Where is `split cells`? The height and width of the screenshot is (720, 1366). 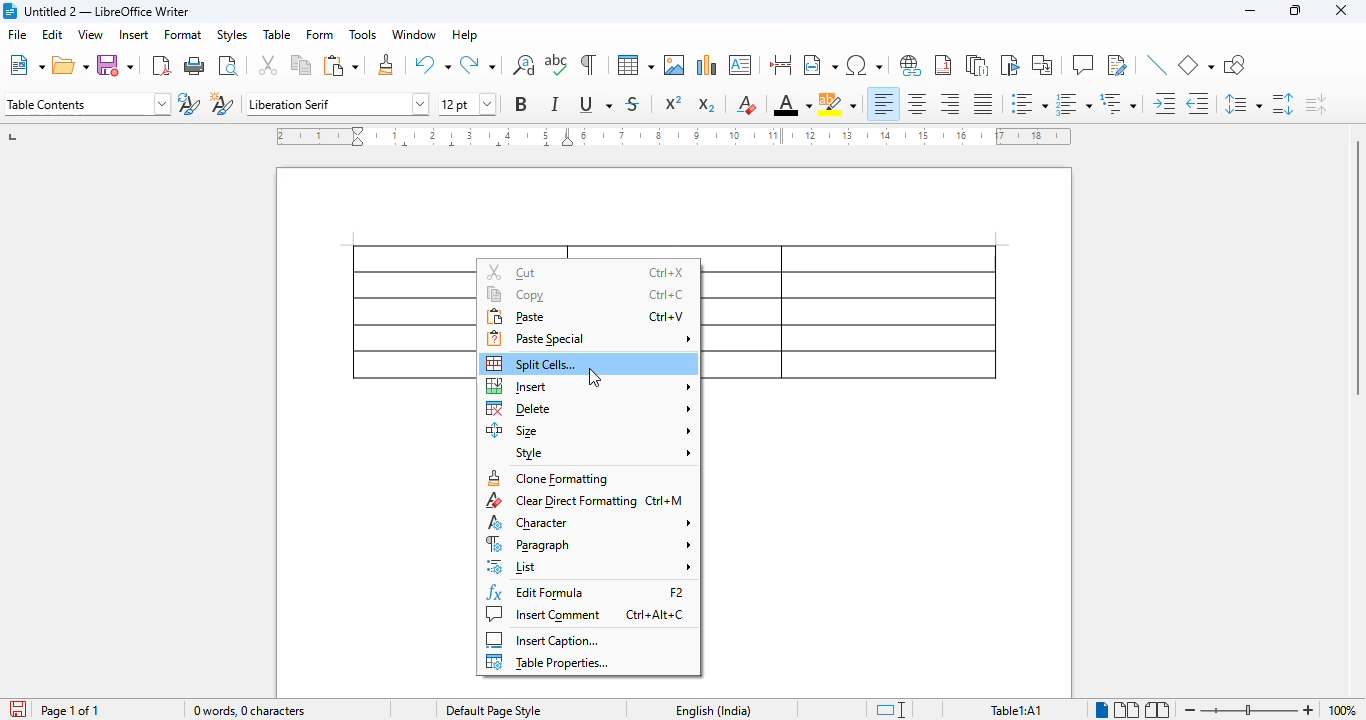 split cells is located at coordinates (531, 364).